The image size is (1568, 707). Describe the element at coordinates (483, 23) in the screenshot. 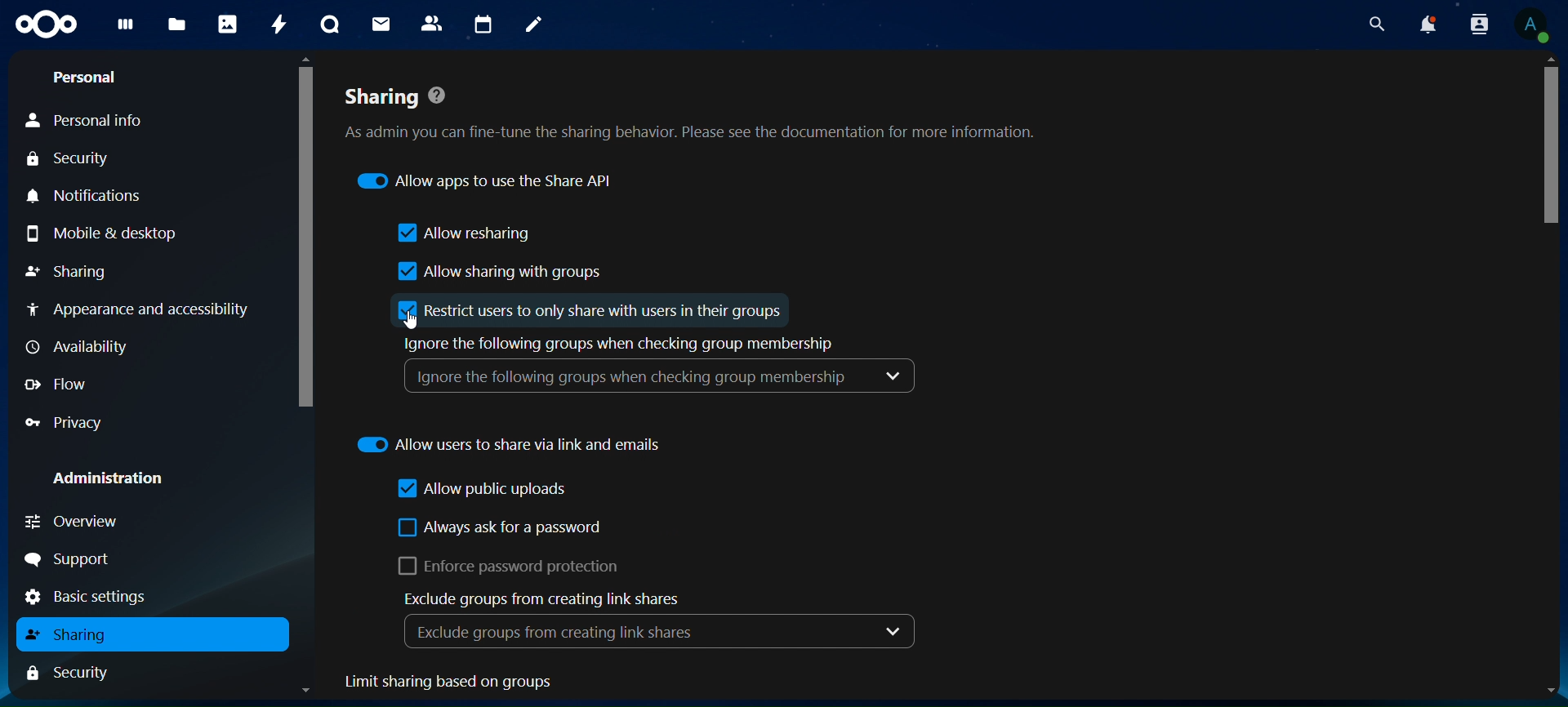

I see `calendar` at that location.